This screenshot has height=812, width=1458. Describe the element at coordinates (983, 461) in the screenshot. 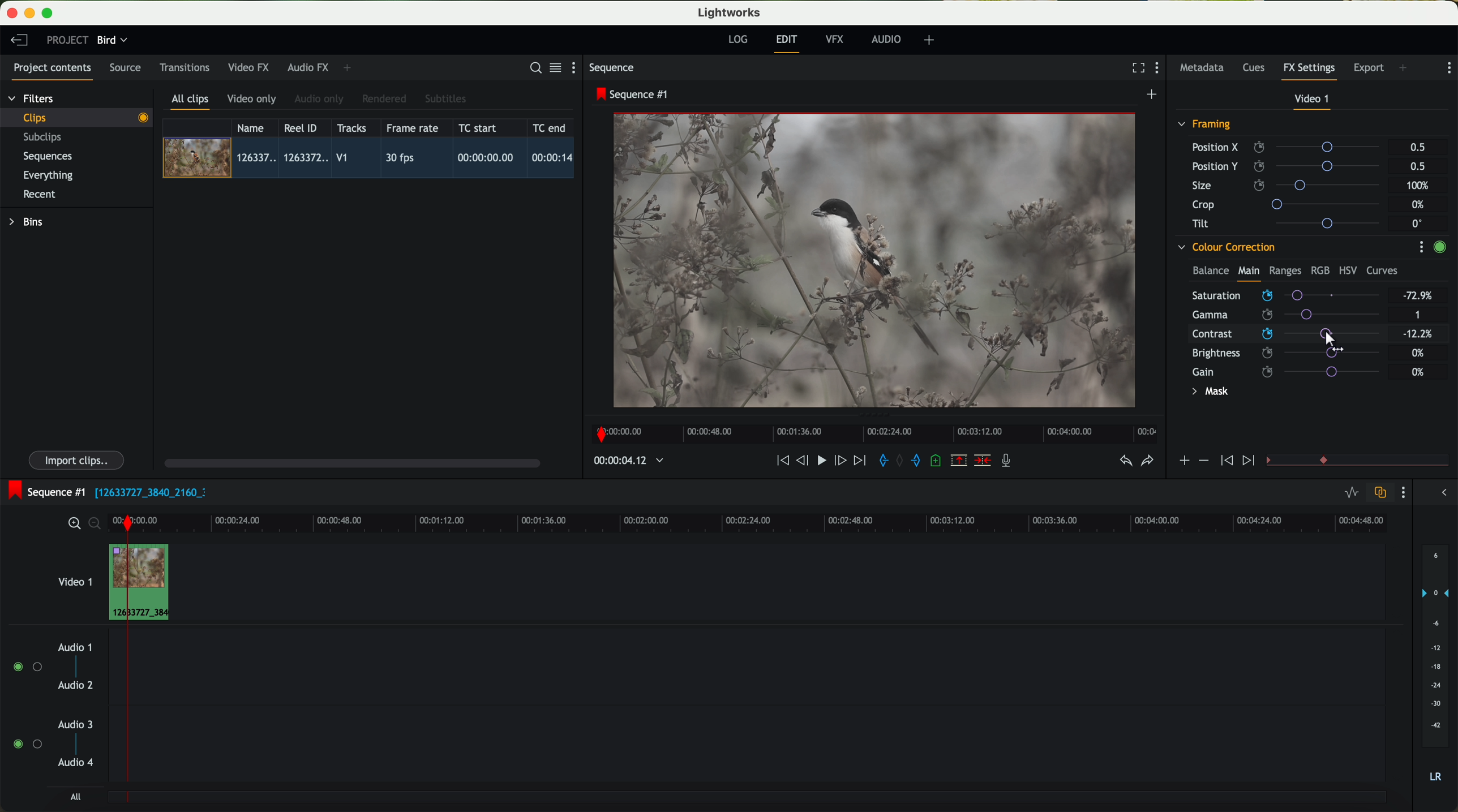

I see `delete/cut` at that location.